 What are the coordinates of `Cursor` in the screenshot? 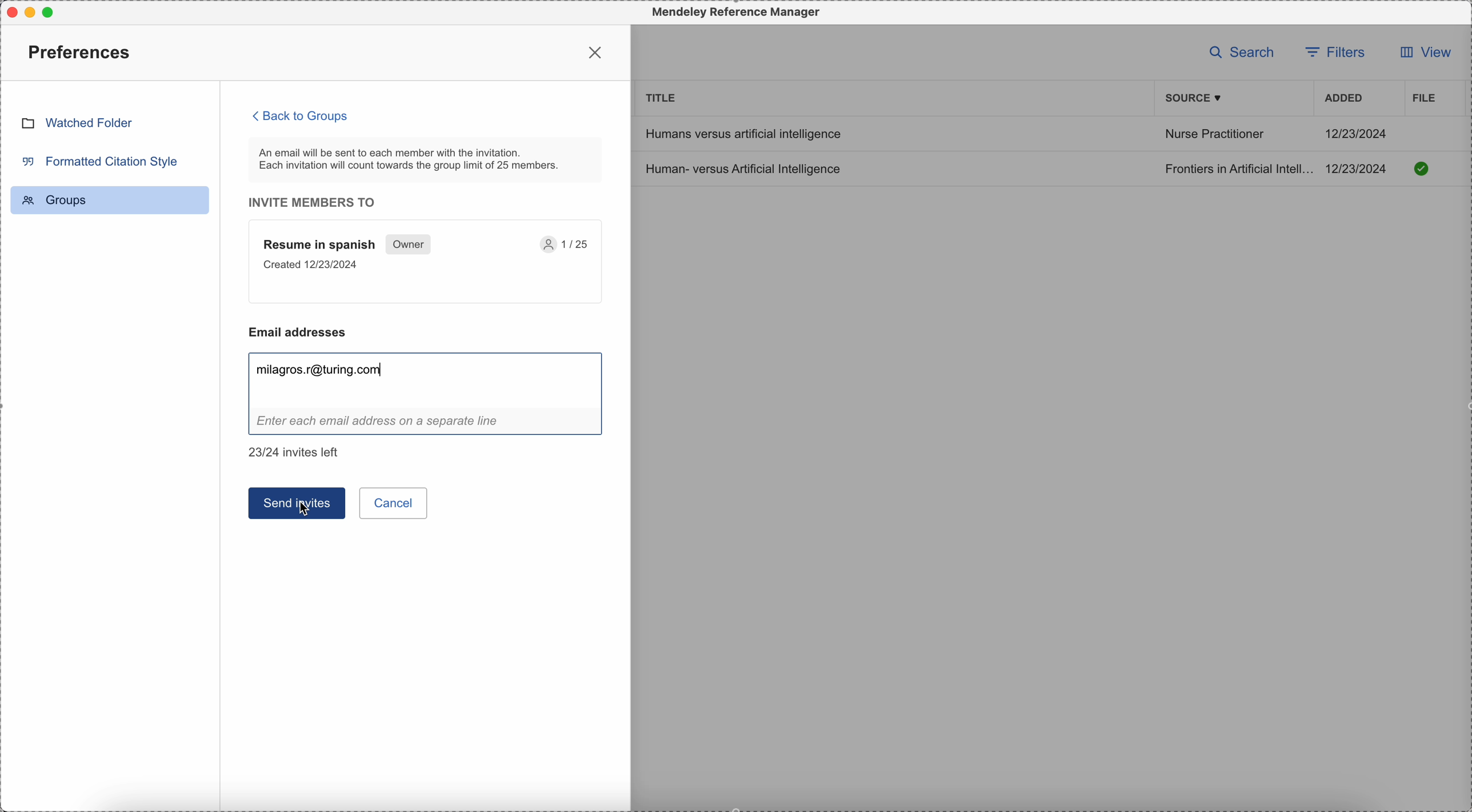 It's located at (305, 514).